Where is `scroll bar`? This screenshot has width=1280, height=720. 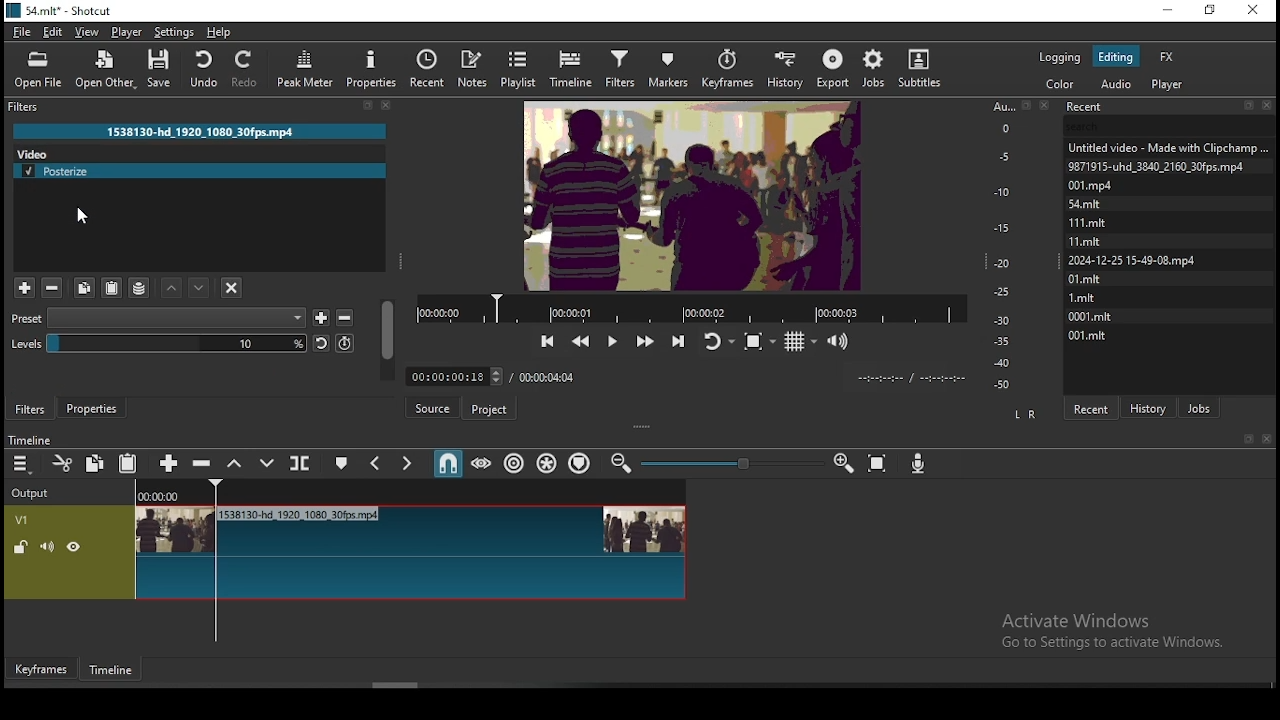
scroll bar is located at coordinates (399, 683).